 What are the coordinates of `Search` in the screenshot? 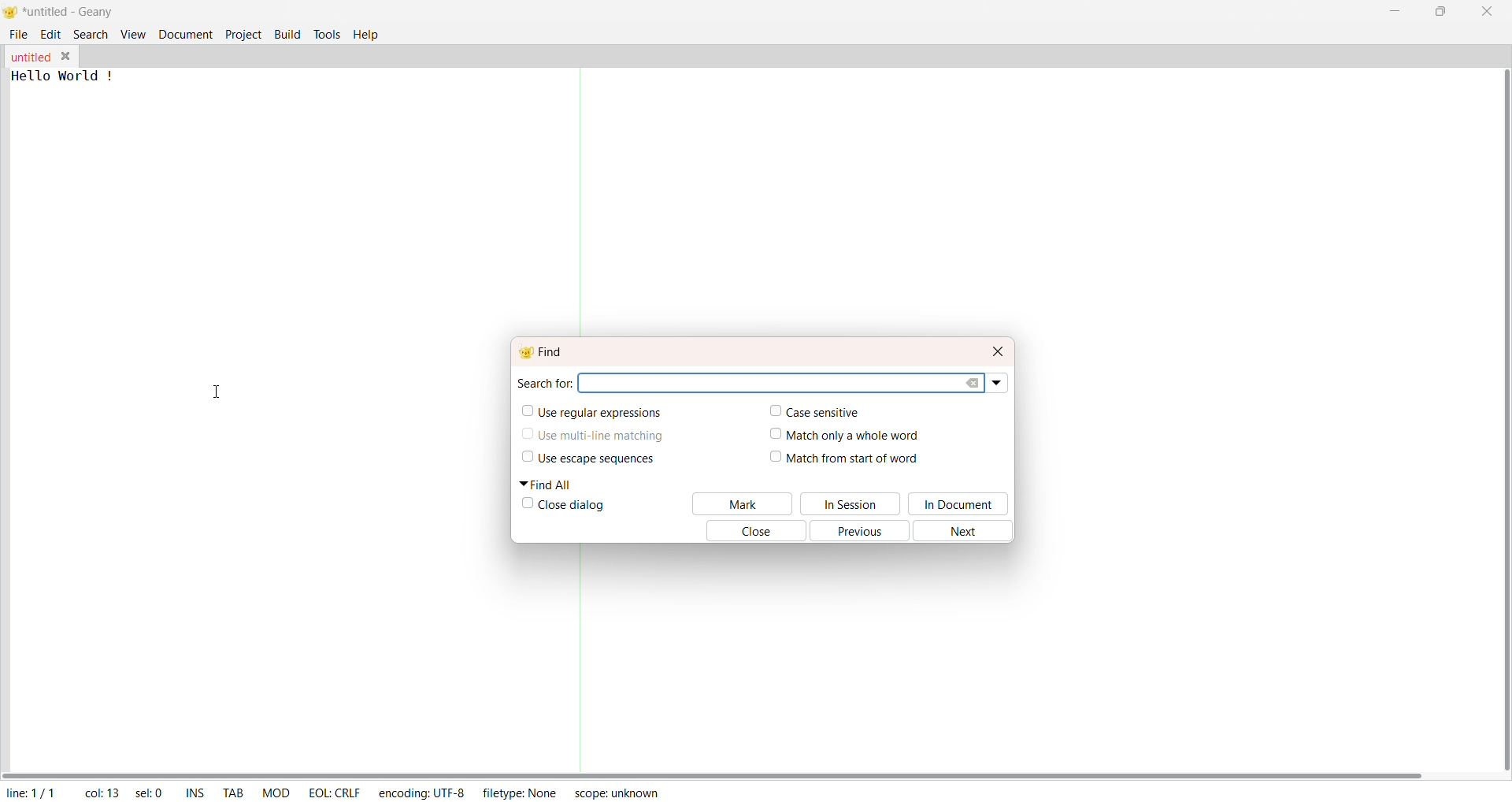 It's located at (90, 34).